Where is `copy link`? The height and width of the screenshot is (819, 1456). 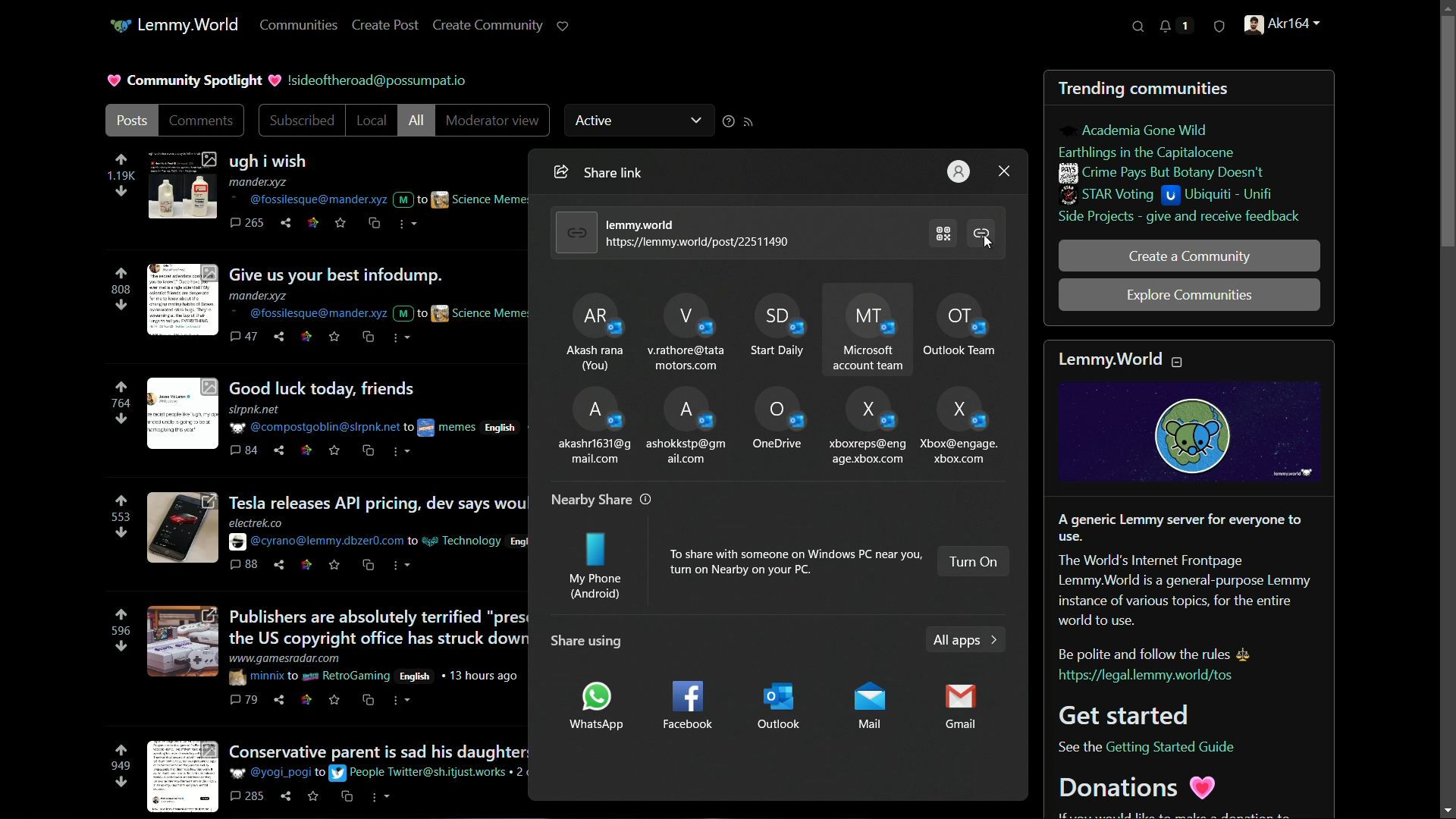
copy link is located at coordinates (984, 235).